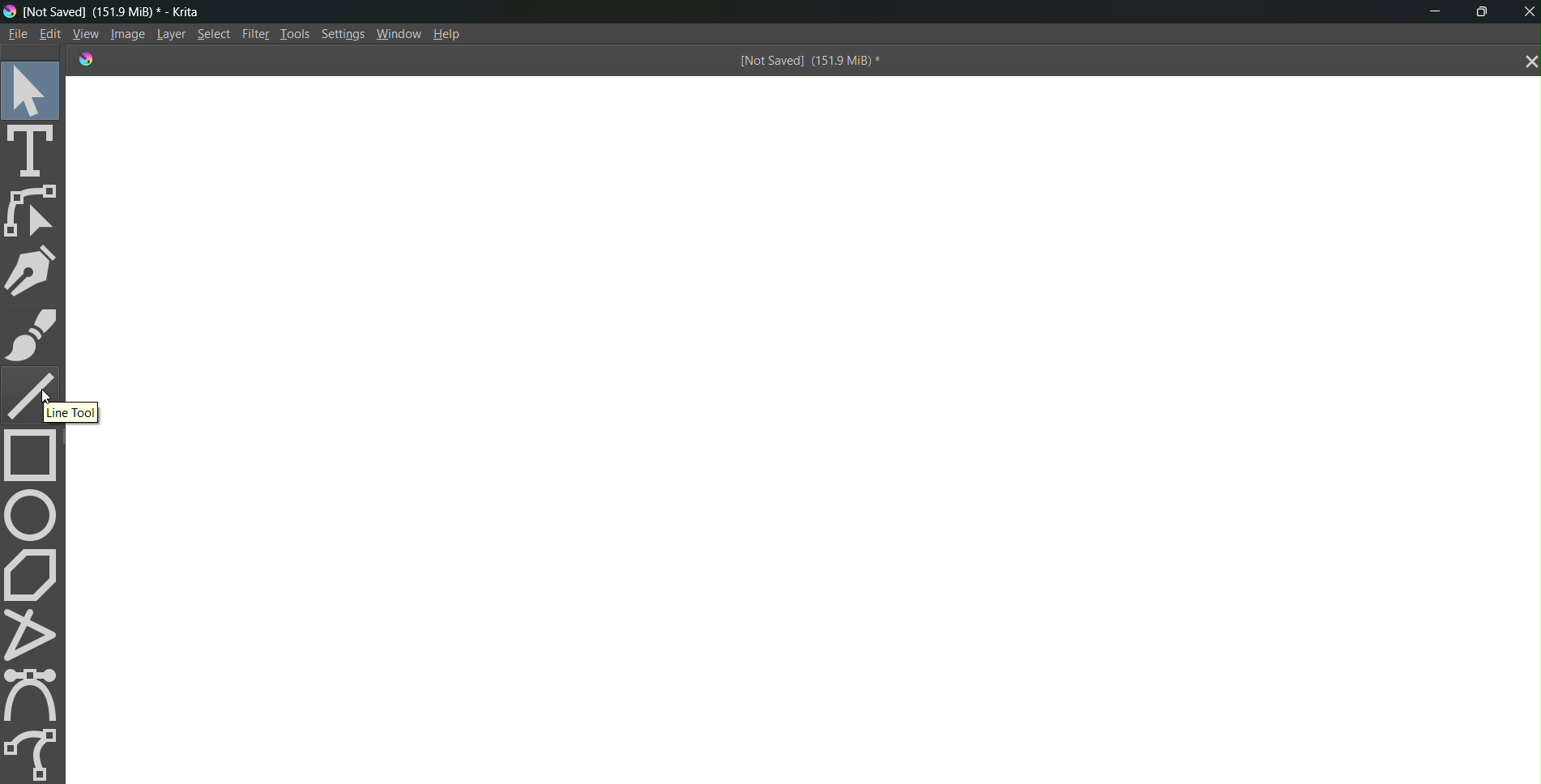 This screenshot has height=784, width=1541. Describe the element at coordinates (36, 694) in the screenshot. I see `curve tool` at that location.